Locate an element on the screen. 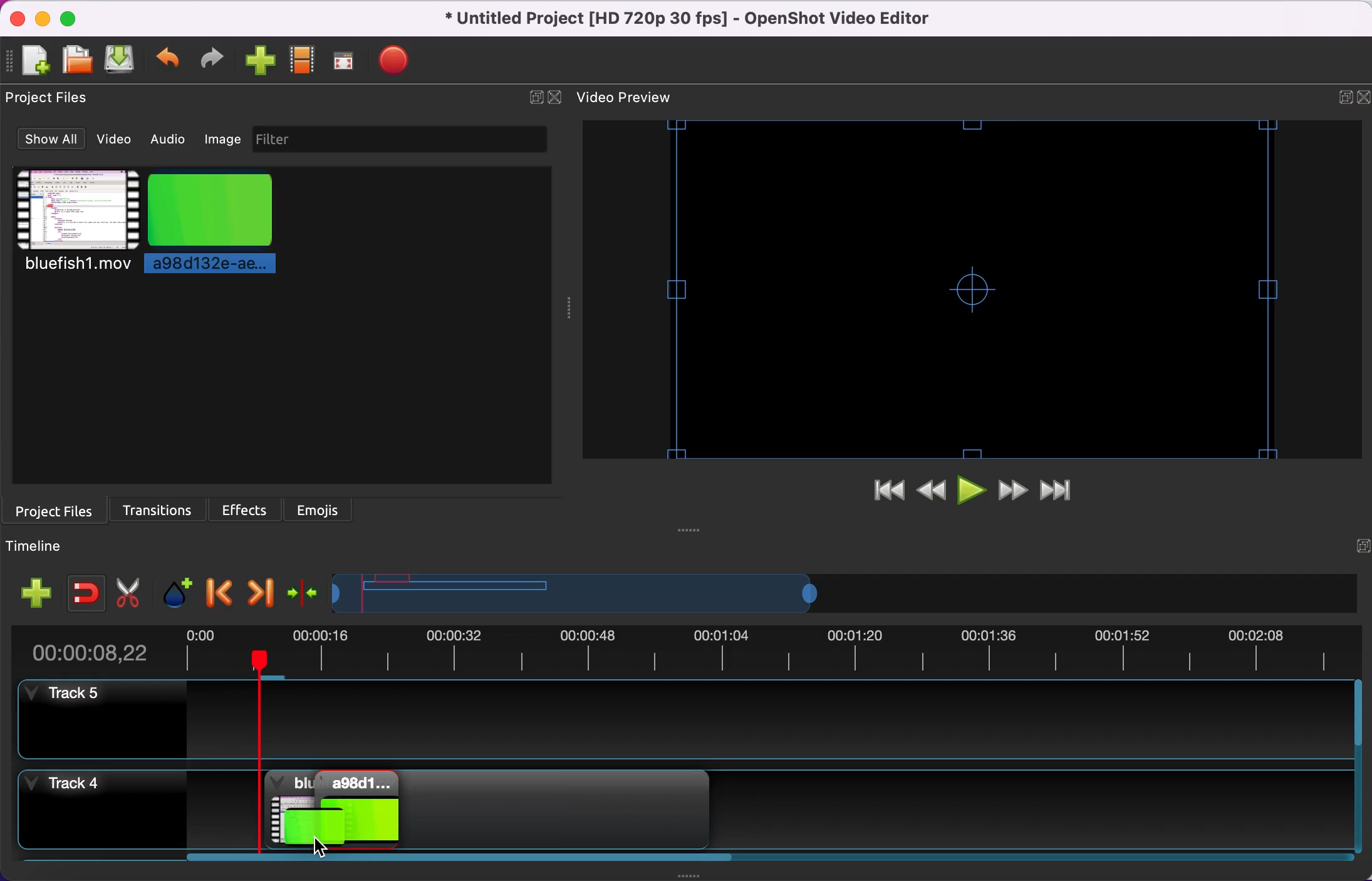  image is located at coordinates (342, 808).